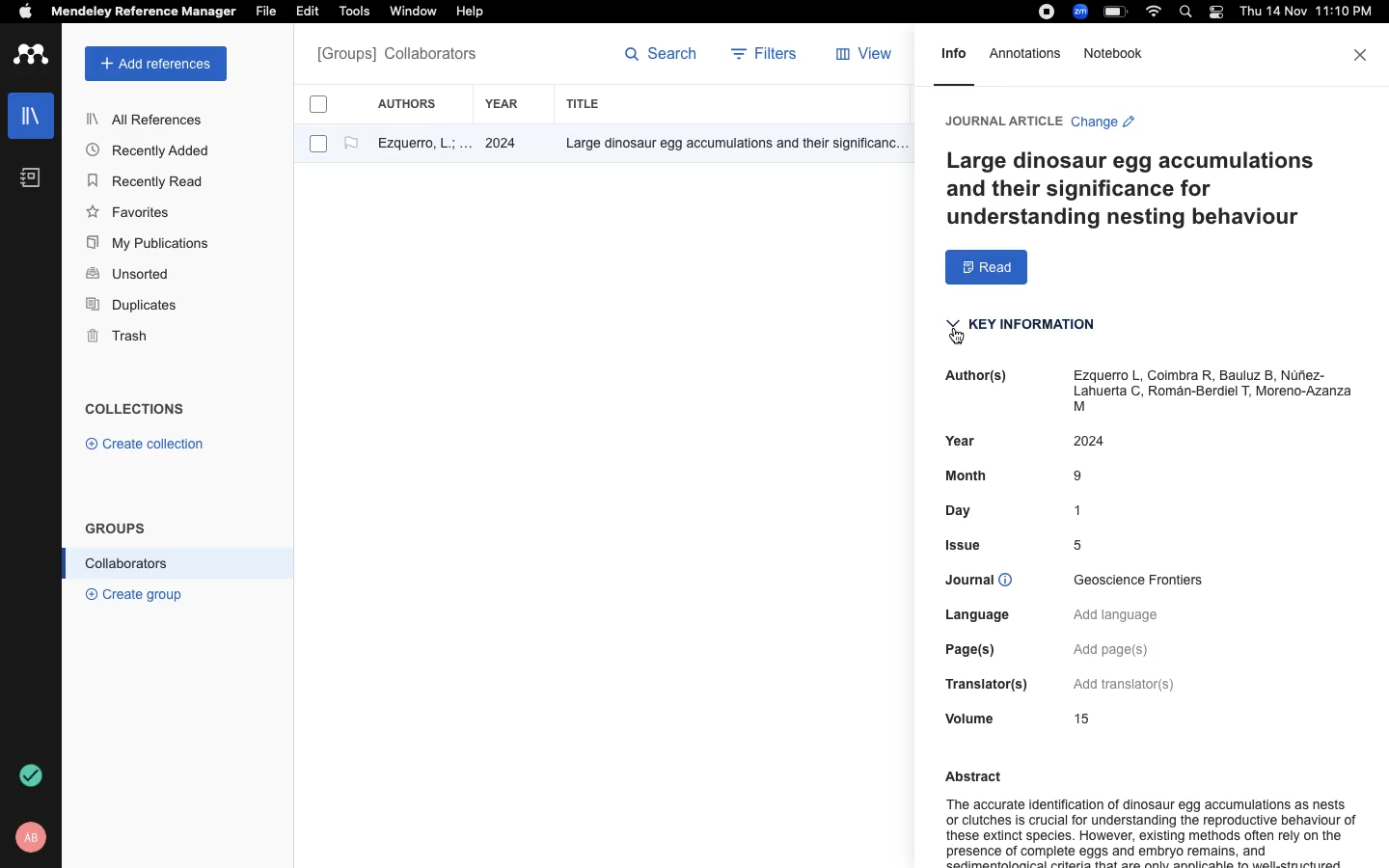 This screenshot has height=868, width=1389. What do you see at coordinates (34, 837) in the screenshot?
I see `profile` at bounding box center [34, 837].